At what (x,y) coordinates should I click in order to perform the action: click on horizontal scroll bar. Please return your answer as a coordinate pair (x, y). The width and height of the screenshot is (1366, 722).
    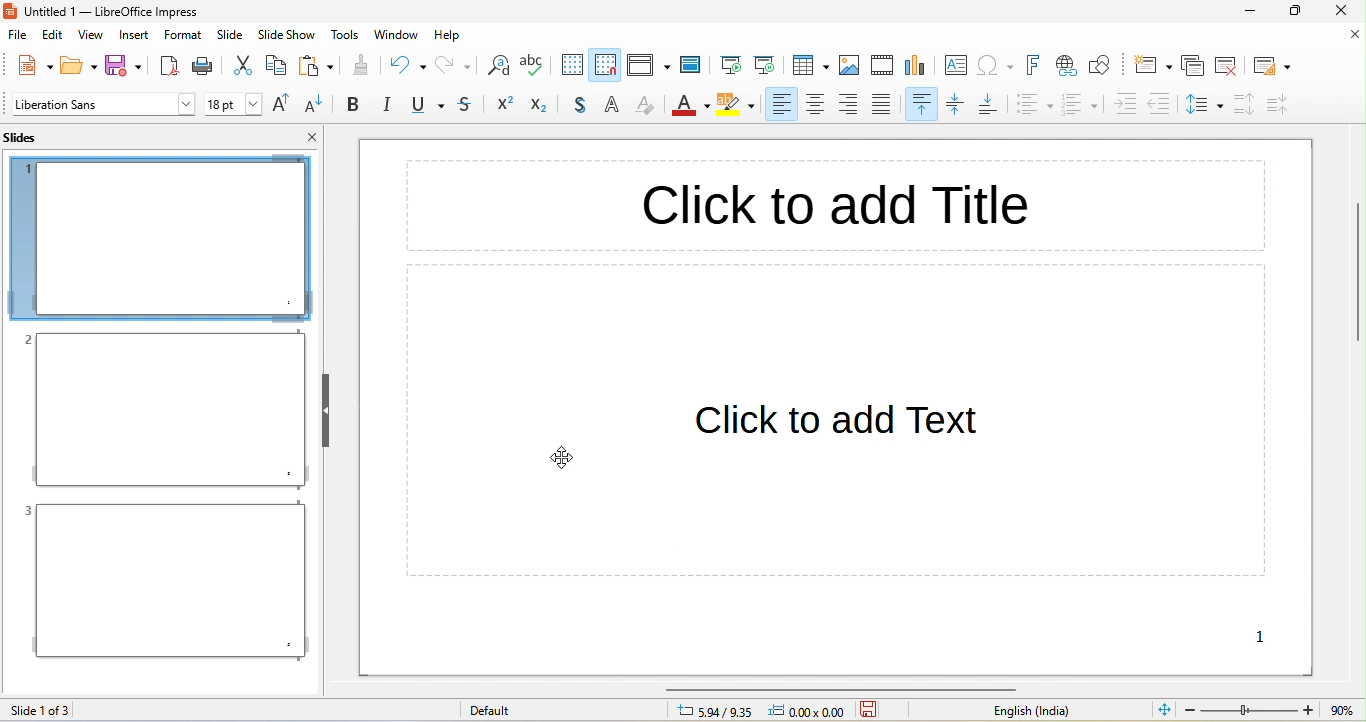
    Looking at the image, I should click on (843, 688).